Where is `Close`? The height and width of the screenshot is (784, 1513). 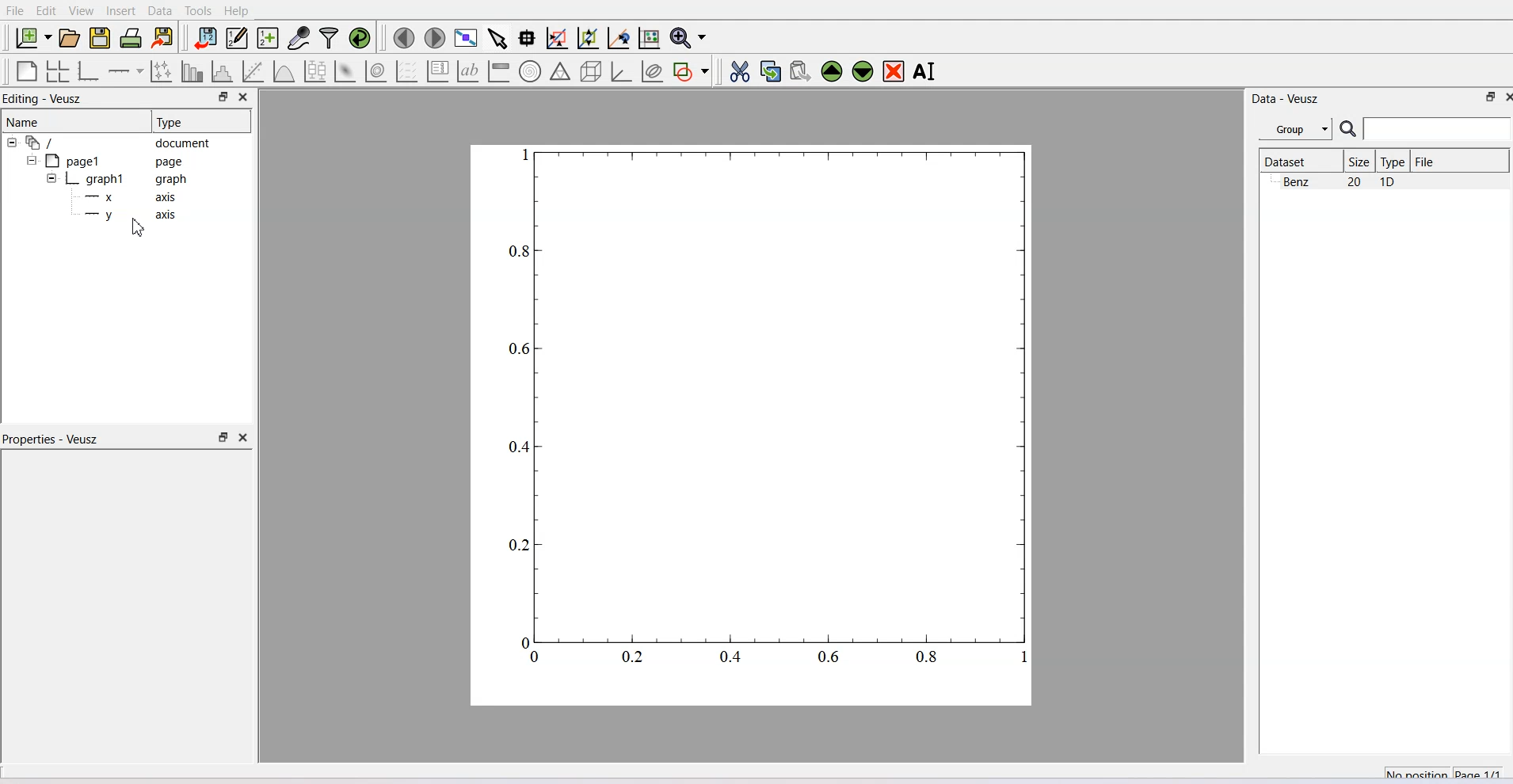
Close is located at coordinates (1493, 97).